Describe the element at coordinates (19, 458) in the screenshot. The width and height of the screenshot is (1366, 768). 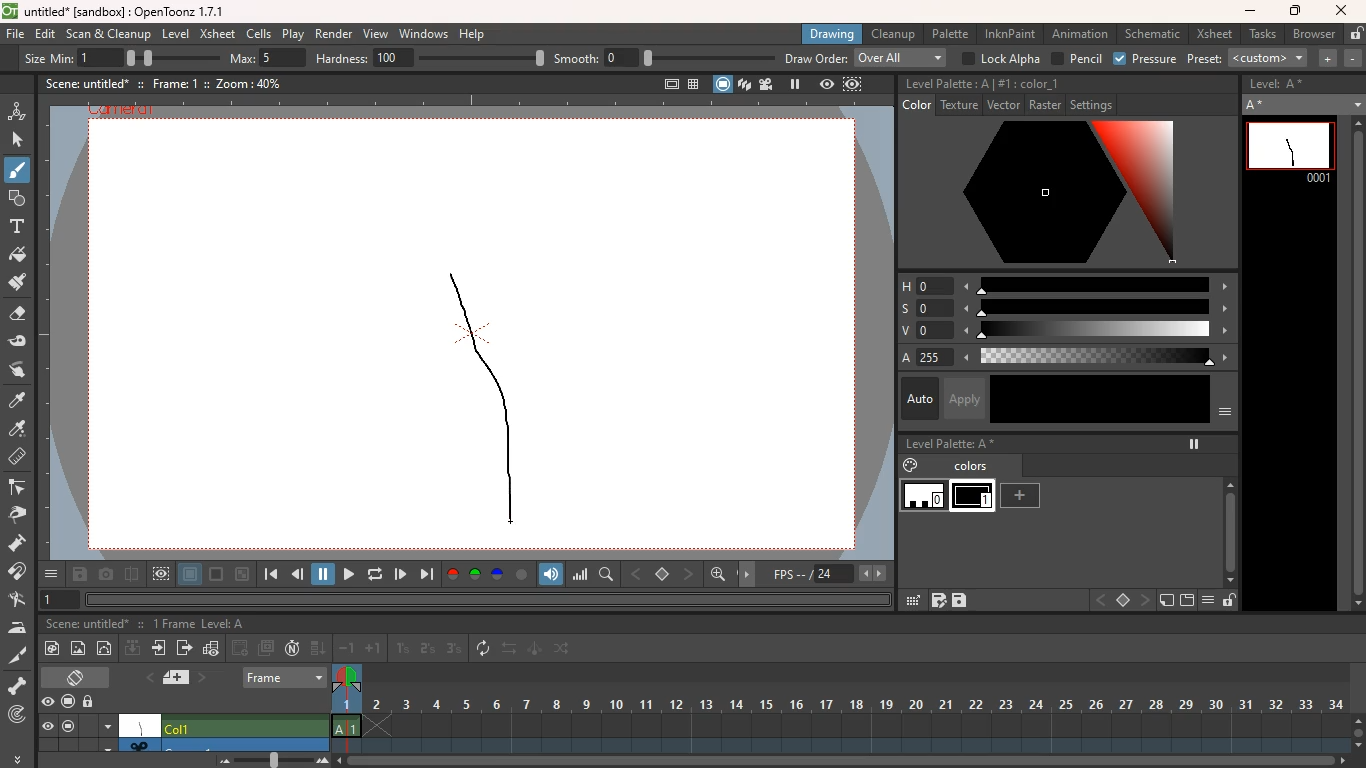
I see `measure` at that location.